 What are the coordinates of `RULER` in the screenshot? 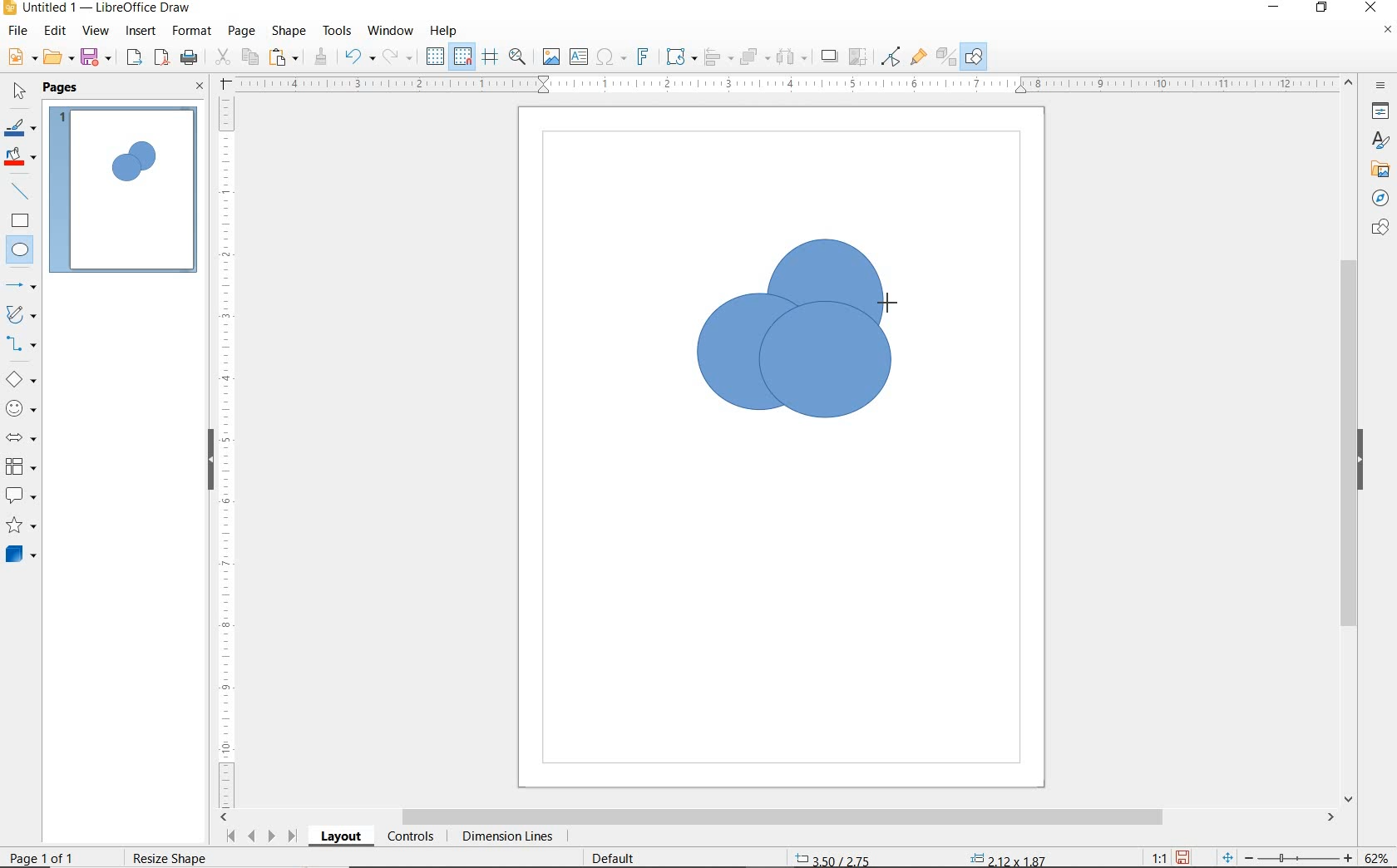 It's located at (788, 85).